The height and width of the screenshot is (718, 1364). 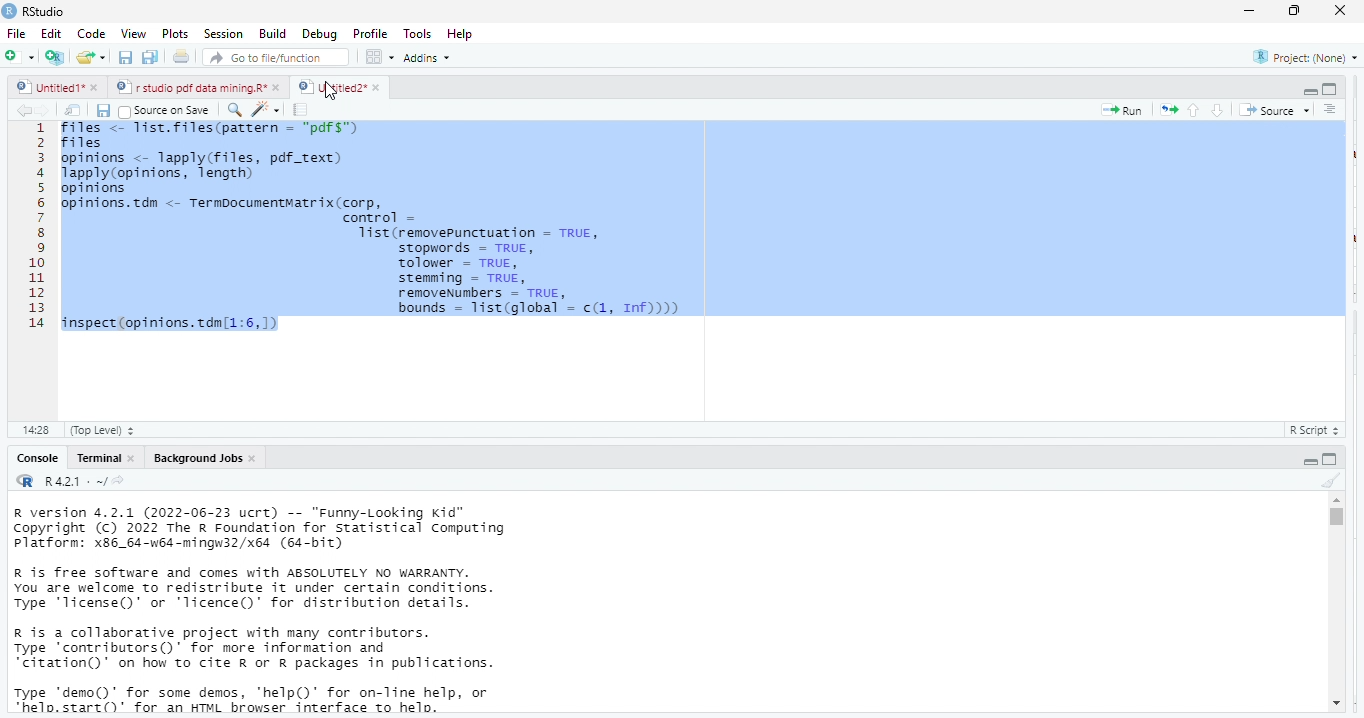 I want to click on console, so click(x=36, y=458).